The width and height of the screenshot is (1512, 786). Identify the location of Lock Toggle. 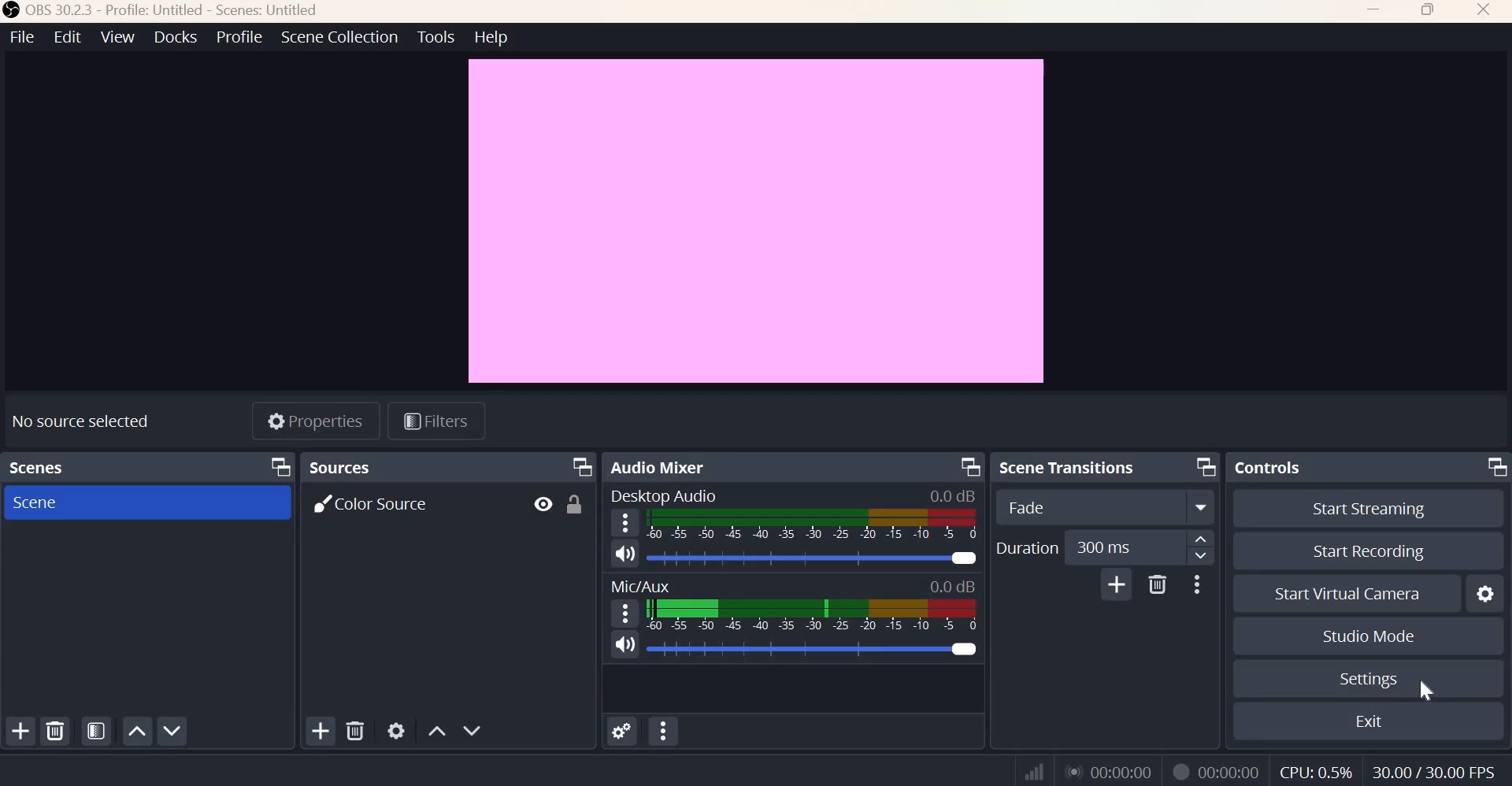
(577, 505).